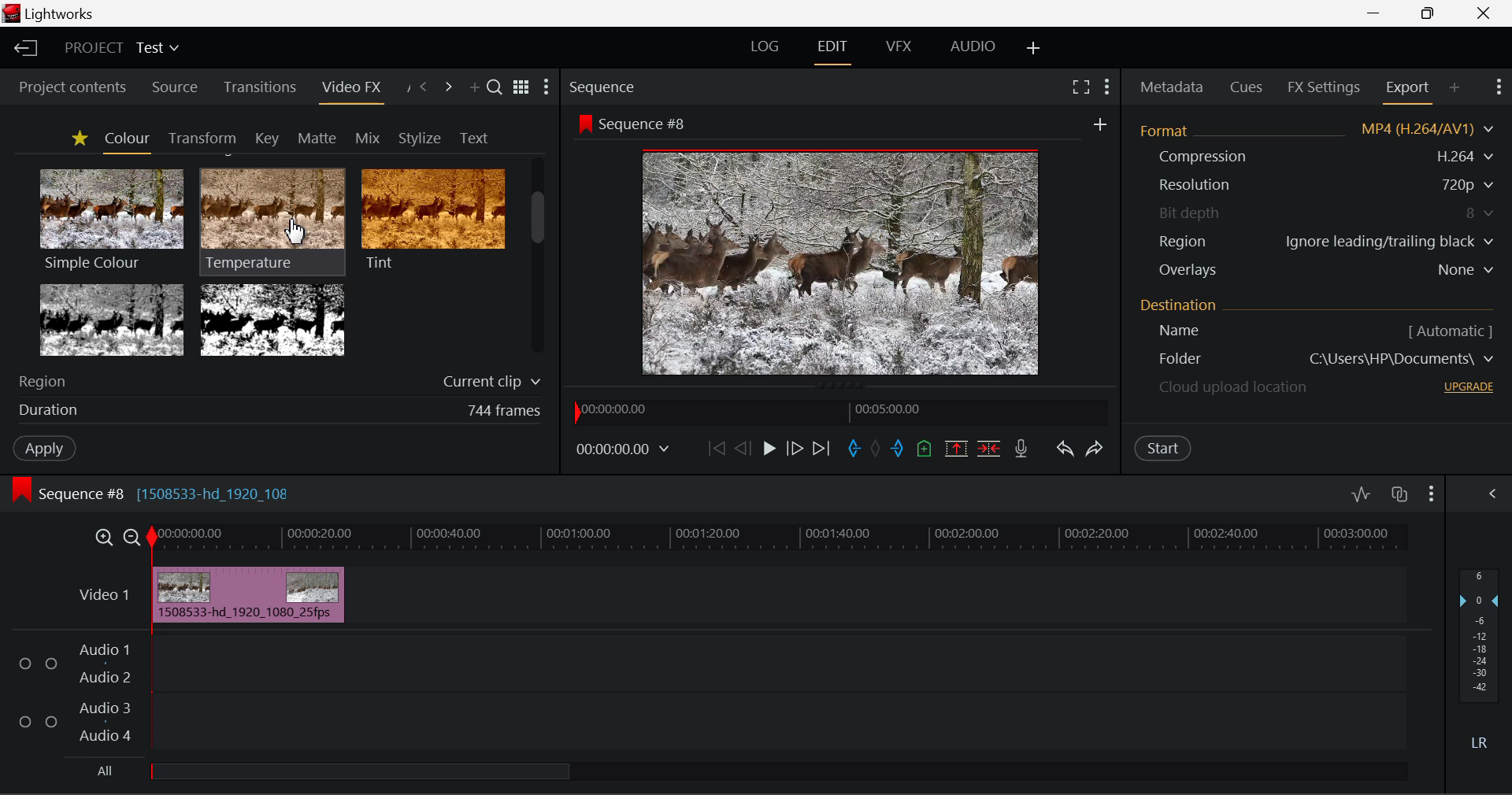 This screenshot has height=795, width=1512. What do you see at coordinates (1432, 492) in the screenshot?
I see `Show Settings` at bounding box center [1432, 492].